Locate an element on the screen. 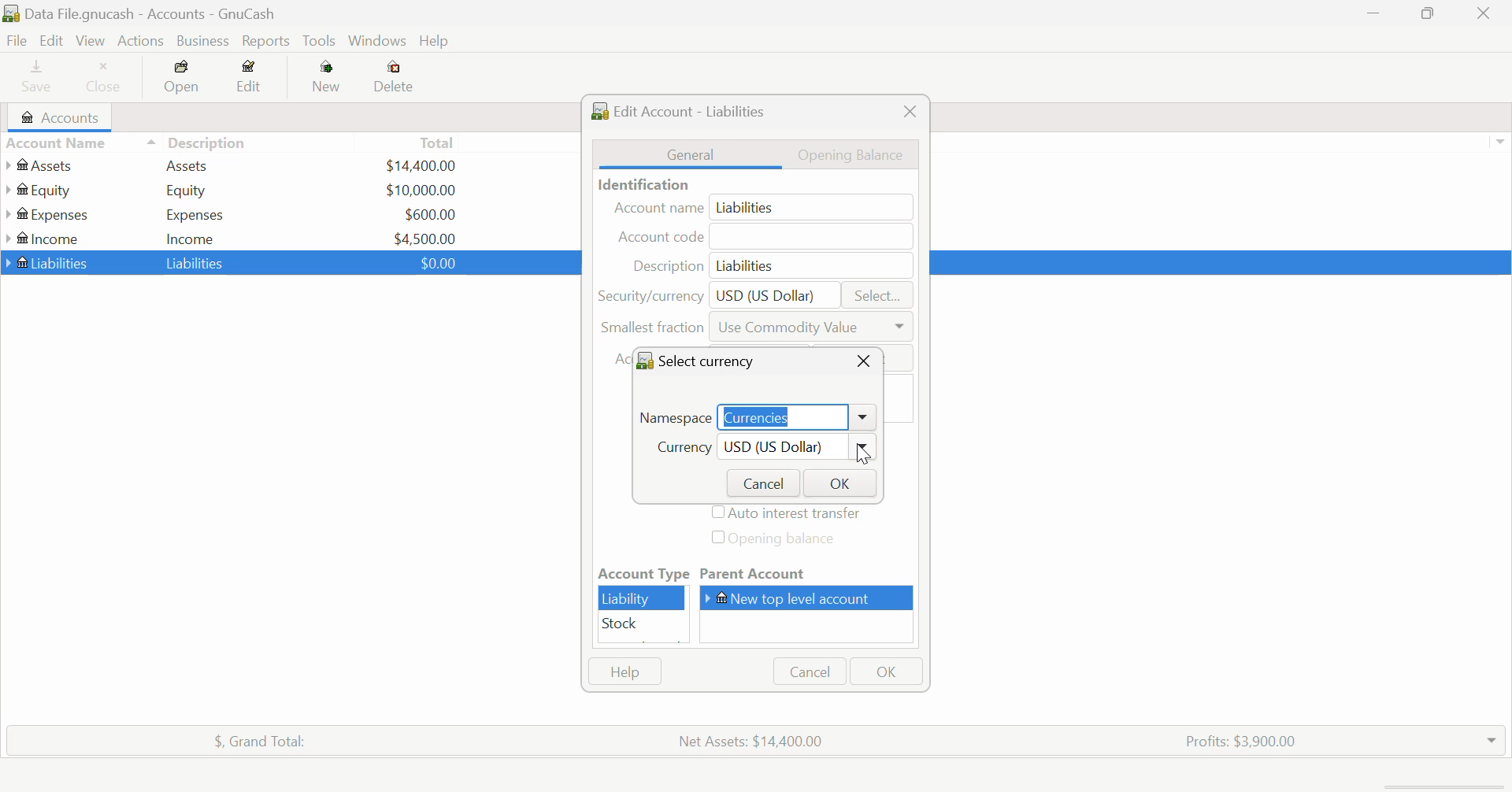 The height and width of the screenshot is (792, 1512). Restore Down is located at coordinates (1374, 15).